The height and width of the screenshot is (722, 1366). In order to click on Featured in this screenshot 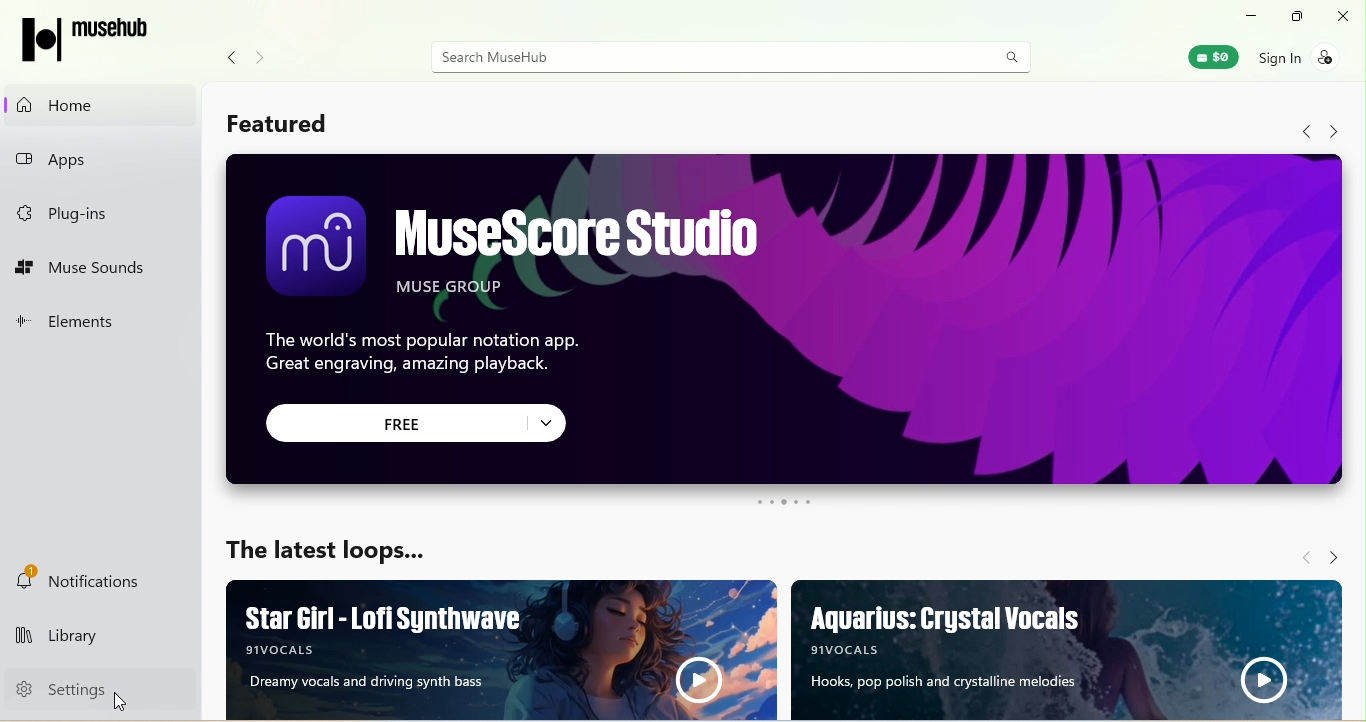, I will do `click(287, 117)`.